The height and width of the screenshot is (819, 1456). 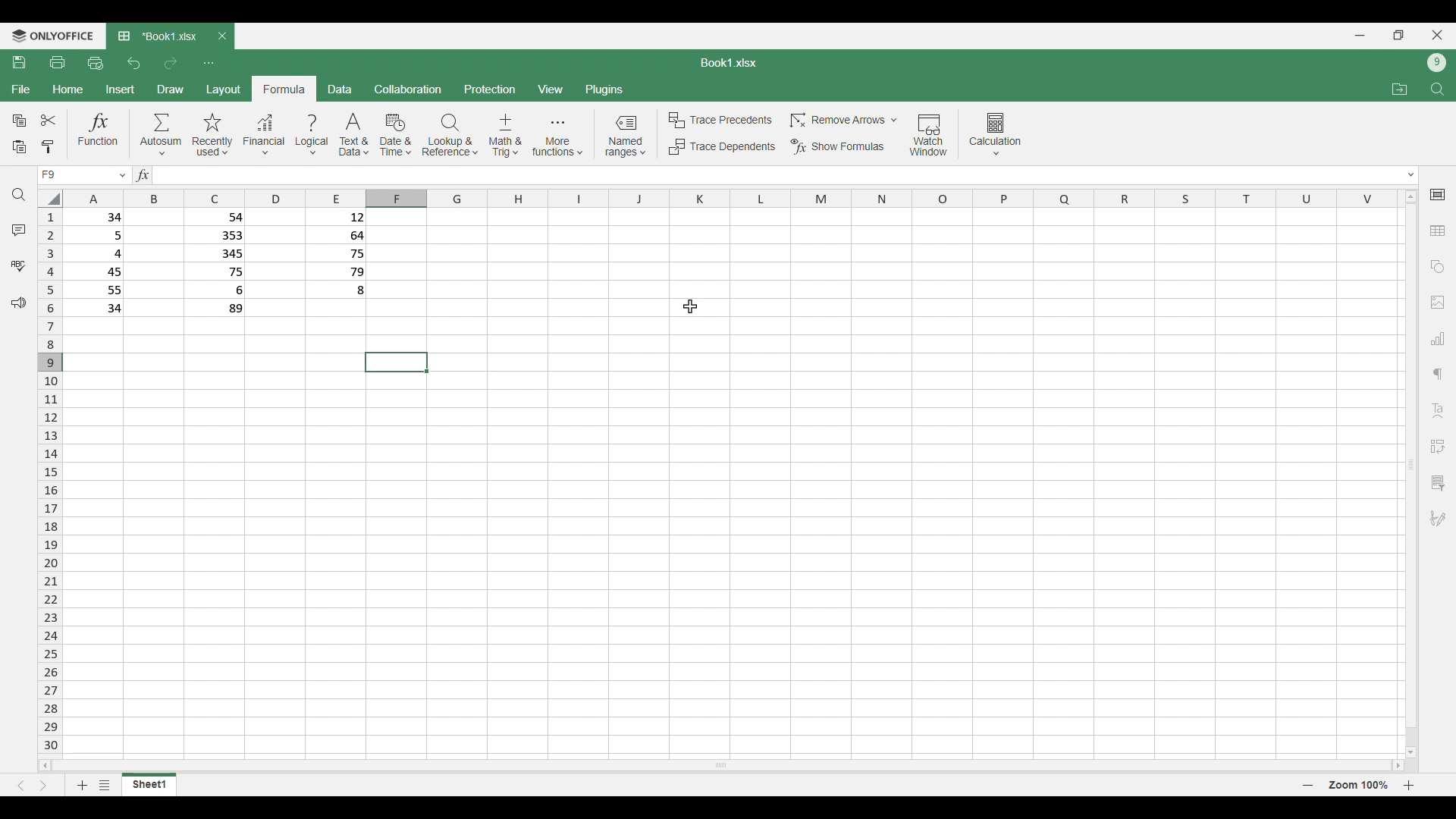 I want to click on Paste, so click(x=19, y=148).